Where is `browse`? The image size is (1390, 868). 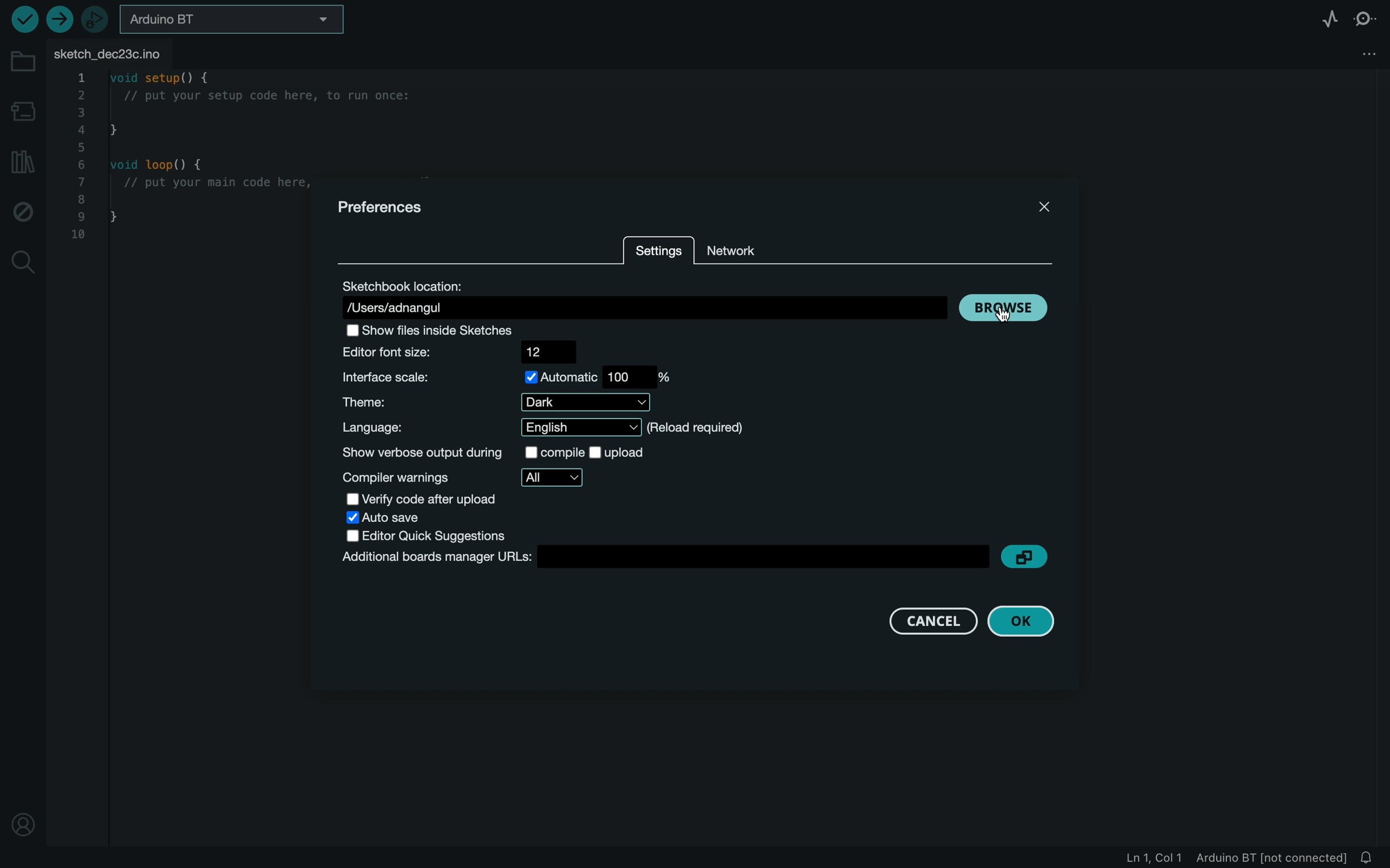
browse is located at coordinates (1005, 311).